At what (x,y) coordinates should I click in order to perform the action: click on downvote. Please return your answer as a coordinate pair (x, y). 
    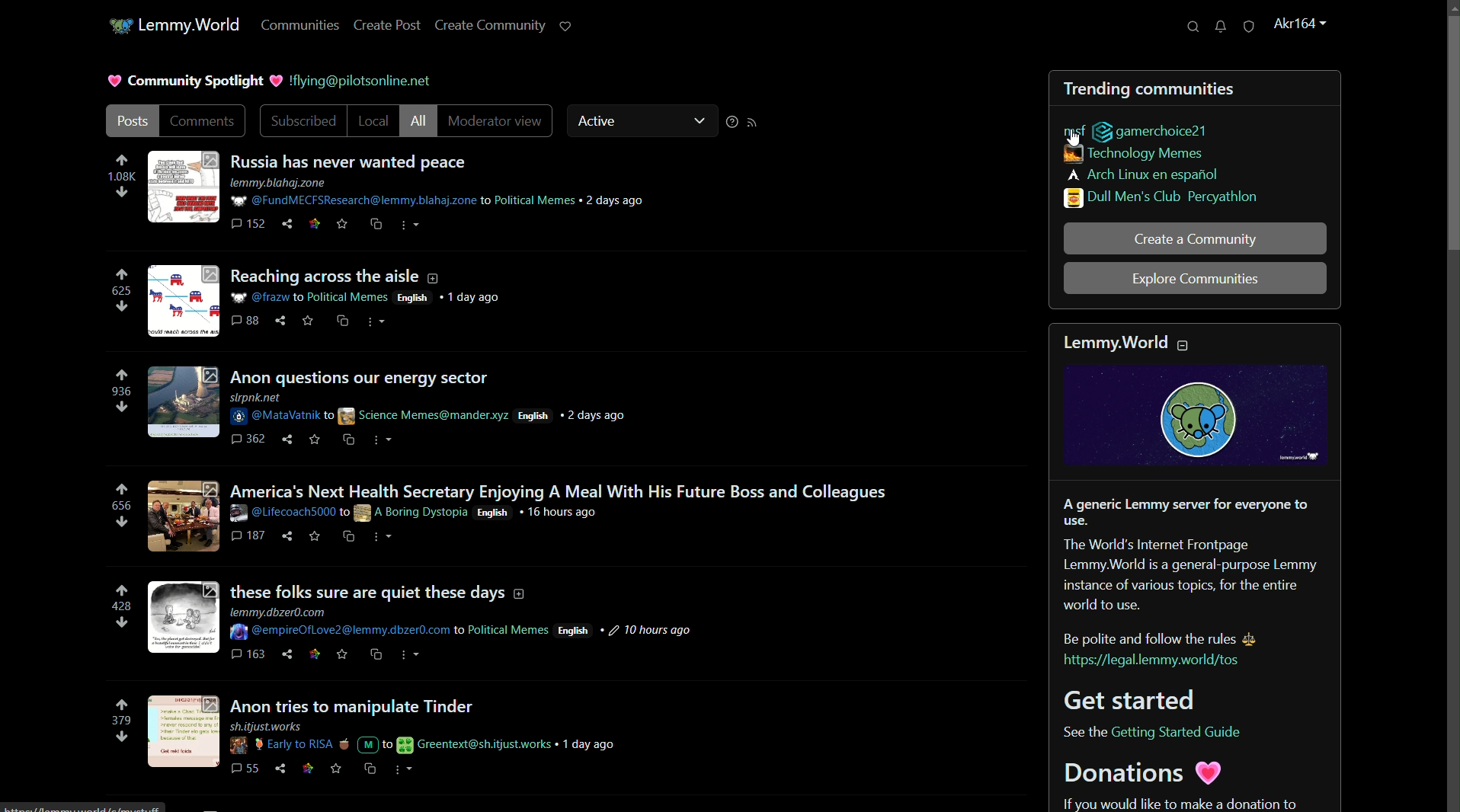
    Looking at the image, I should click on (120, 523).